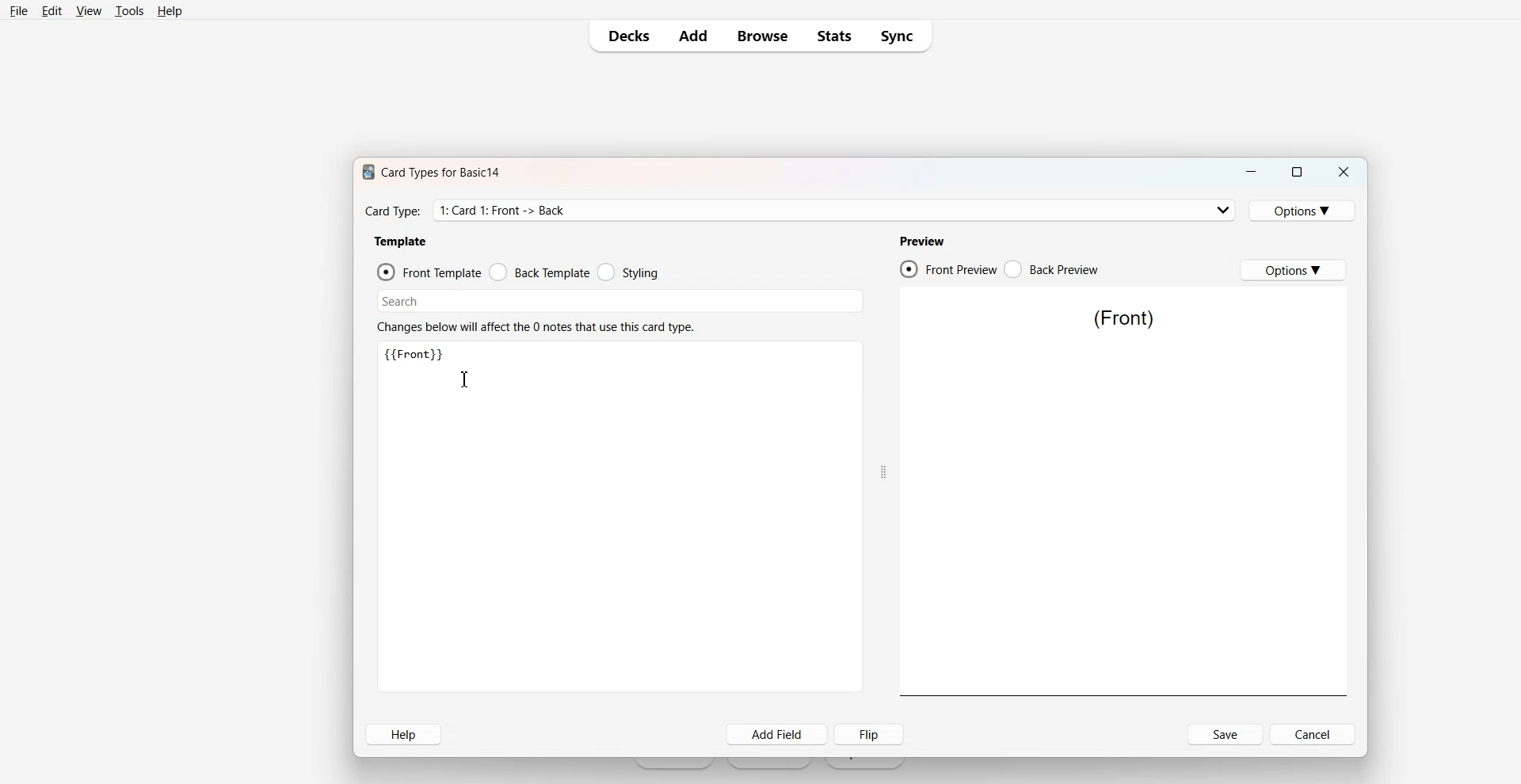 The height and width of the screenshot is (784, 1521). I want to click on Options, so click(1293, 270).